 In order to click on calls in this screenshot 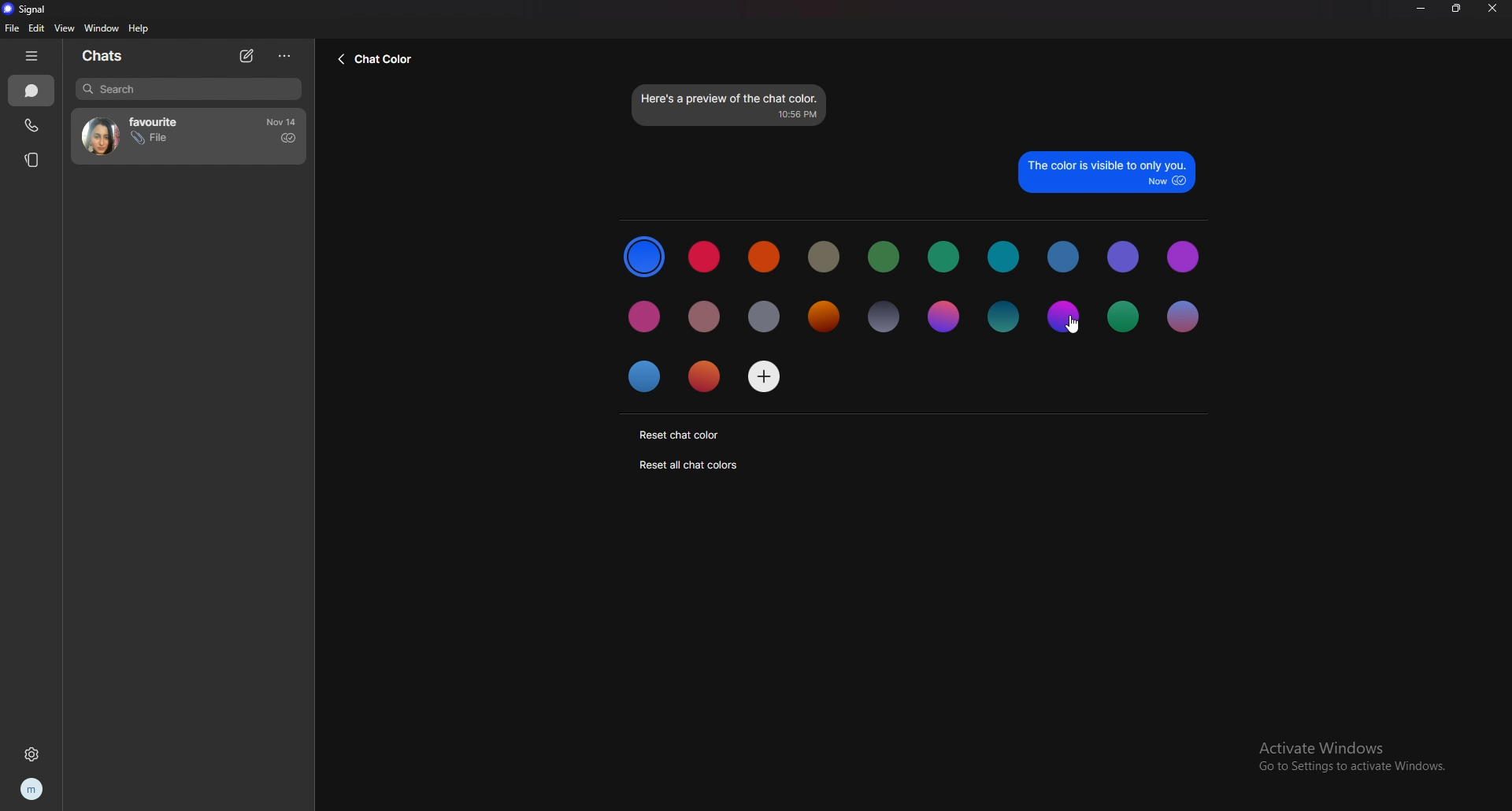, I will do `click(31, 126)`.